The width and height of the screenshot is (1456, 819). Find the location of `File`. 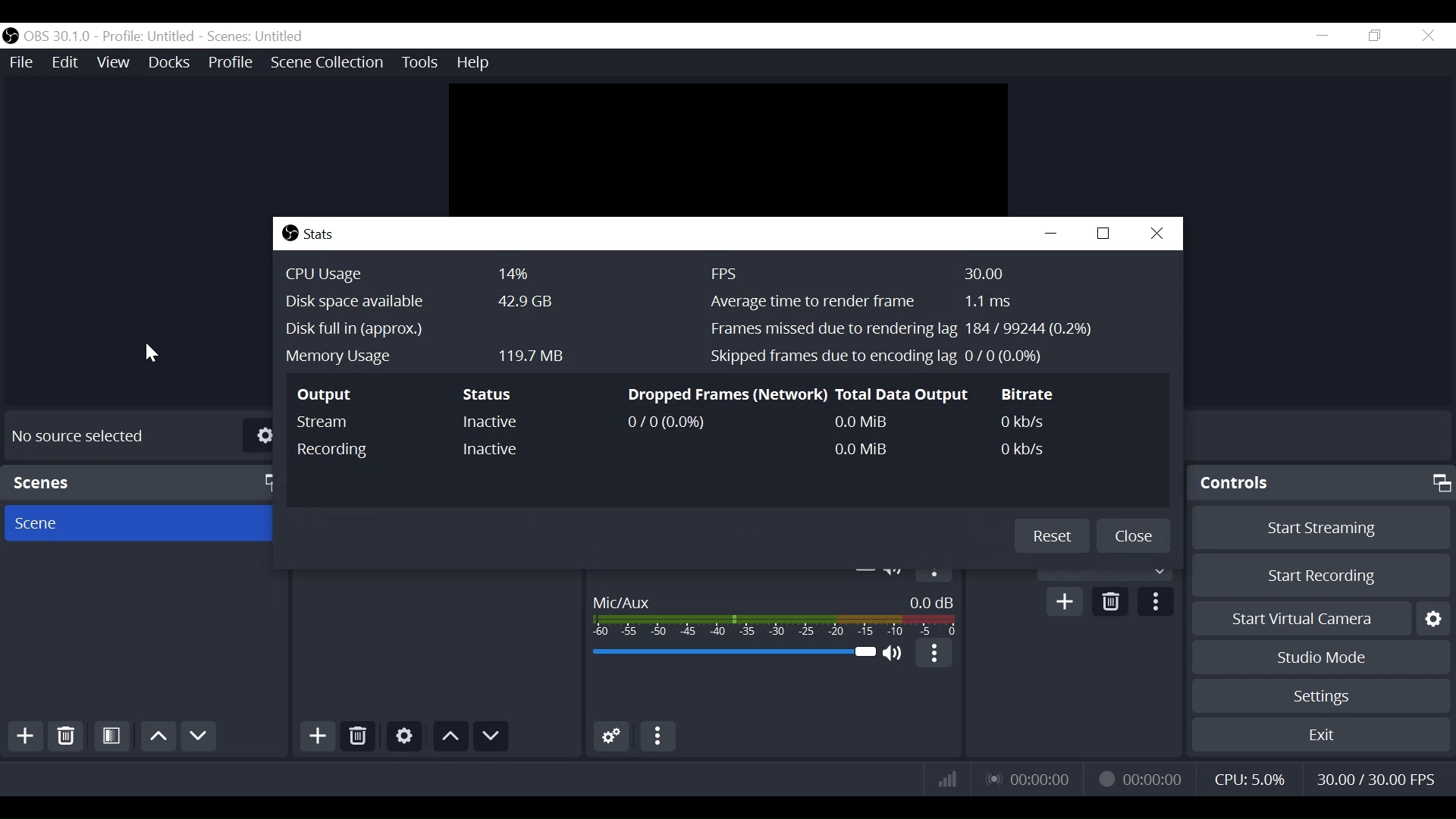

File is located at coordinates (24, 62).